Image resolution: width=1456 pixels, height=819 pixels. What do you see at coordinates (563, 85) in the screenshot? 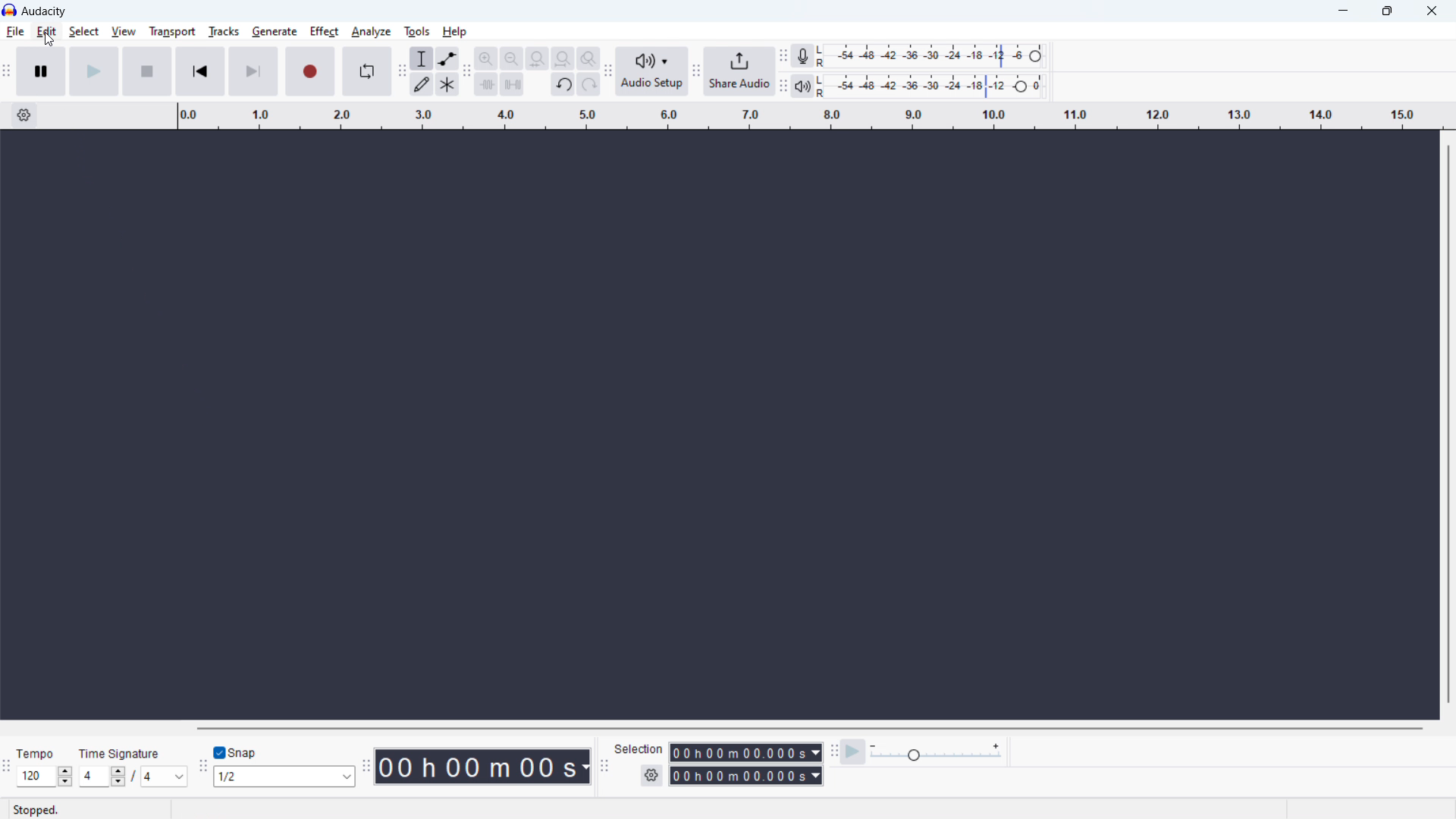
I see `undo` at bounding box center [563, 85].